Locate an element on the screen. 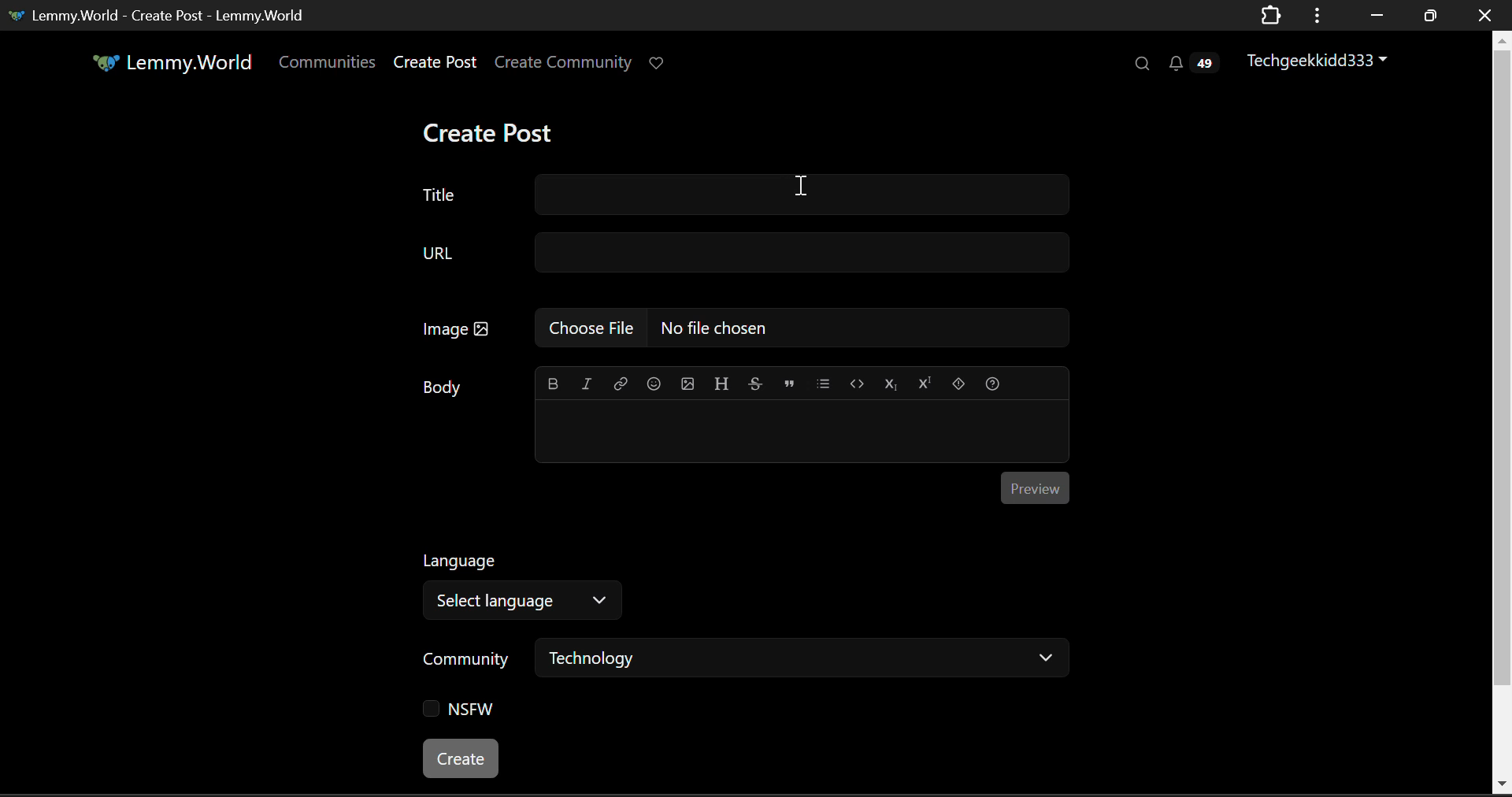  Quote is located at coordinates (788, 384).